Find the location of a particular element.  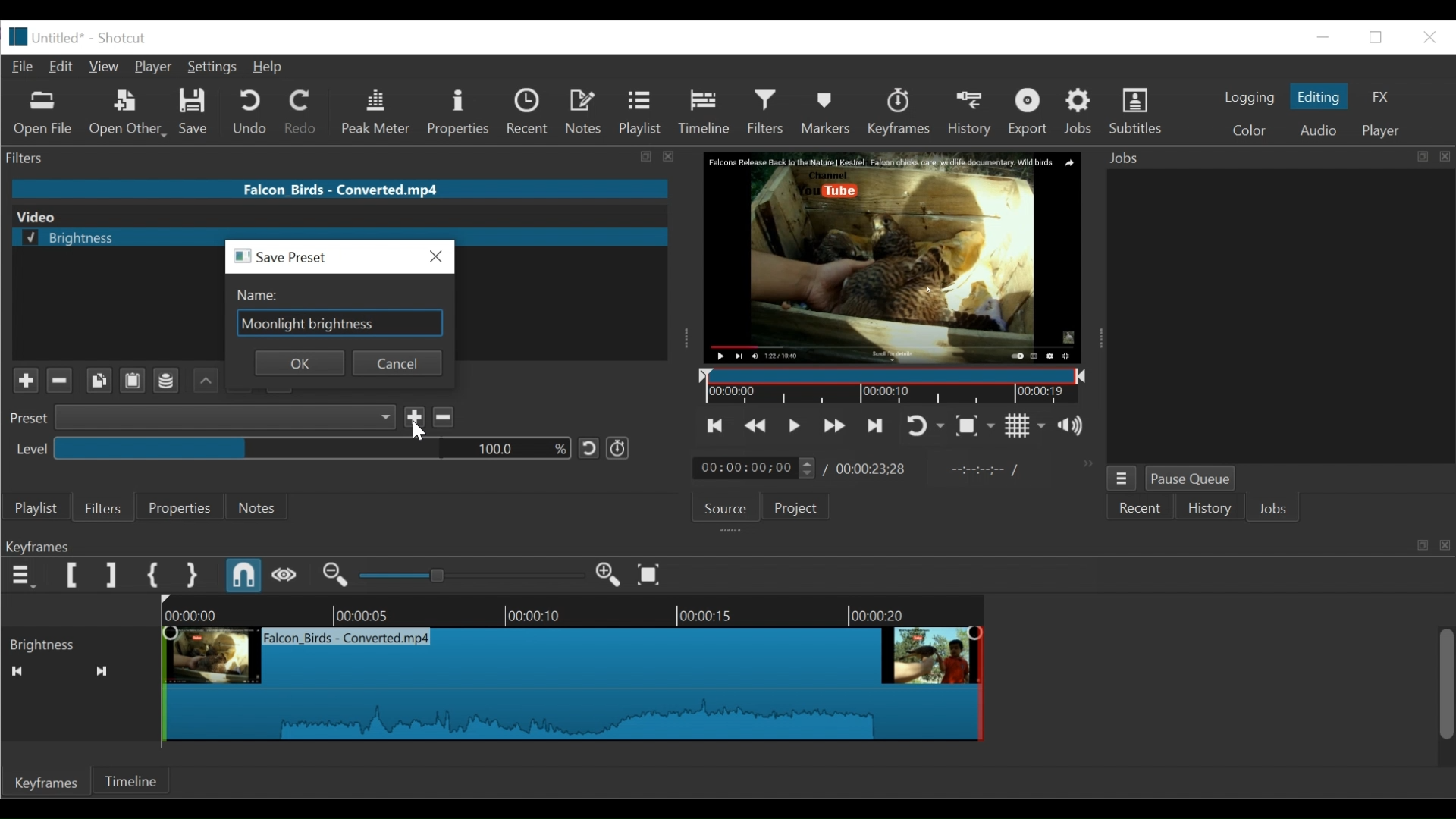

Properties is located at coordinates (183, 507).